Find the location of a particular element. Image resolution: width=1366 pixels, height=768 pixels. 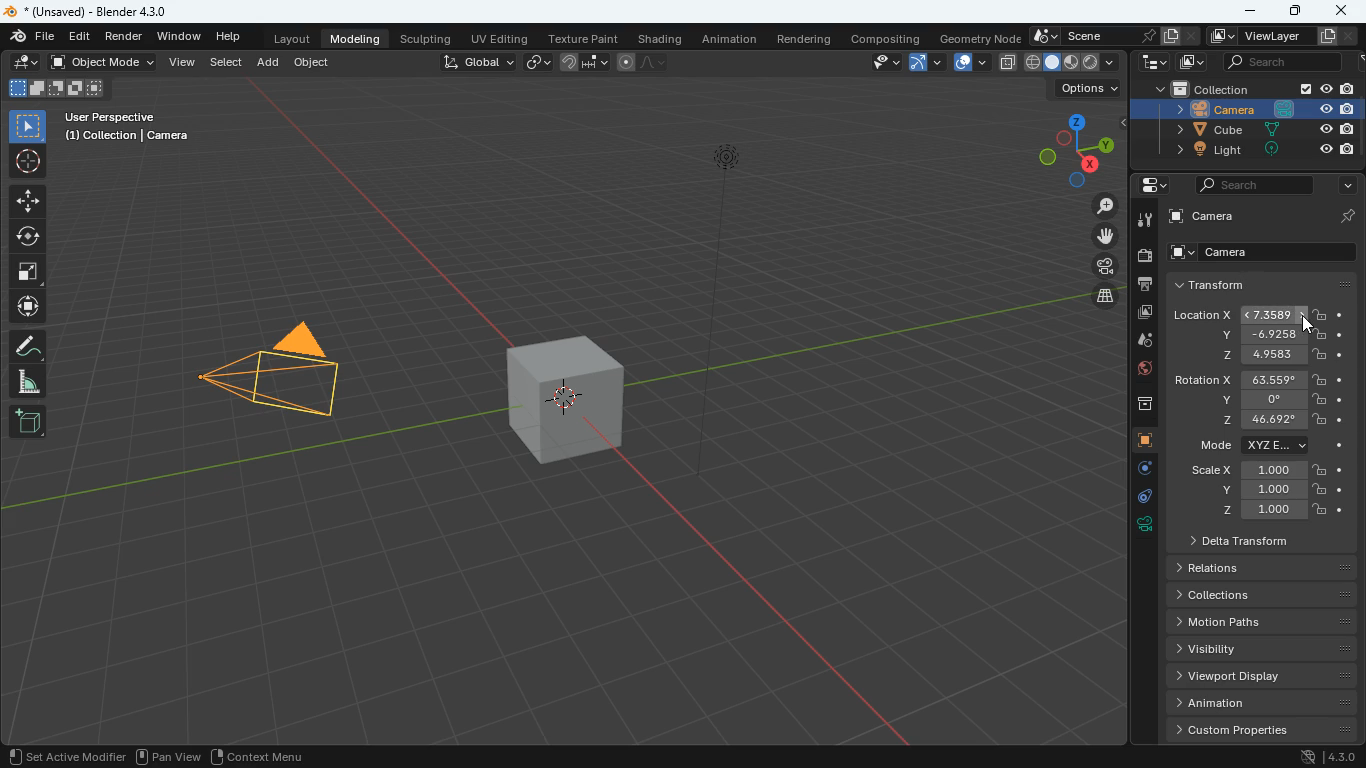

scene is located at coordinates (1095, 36).